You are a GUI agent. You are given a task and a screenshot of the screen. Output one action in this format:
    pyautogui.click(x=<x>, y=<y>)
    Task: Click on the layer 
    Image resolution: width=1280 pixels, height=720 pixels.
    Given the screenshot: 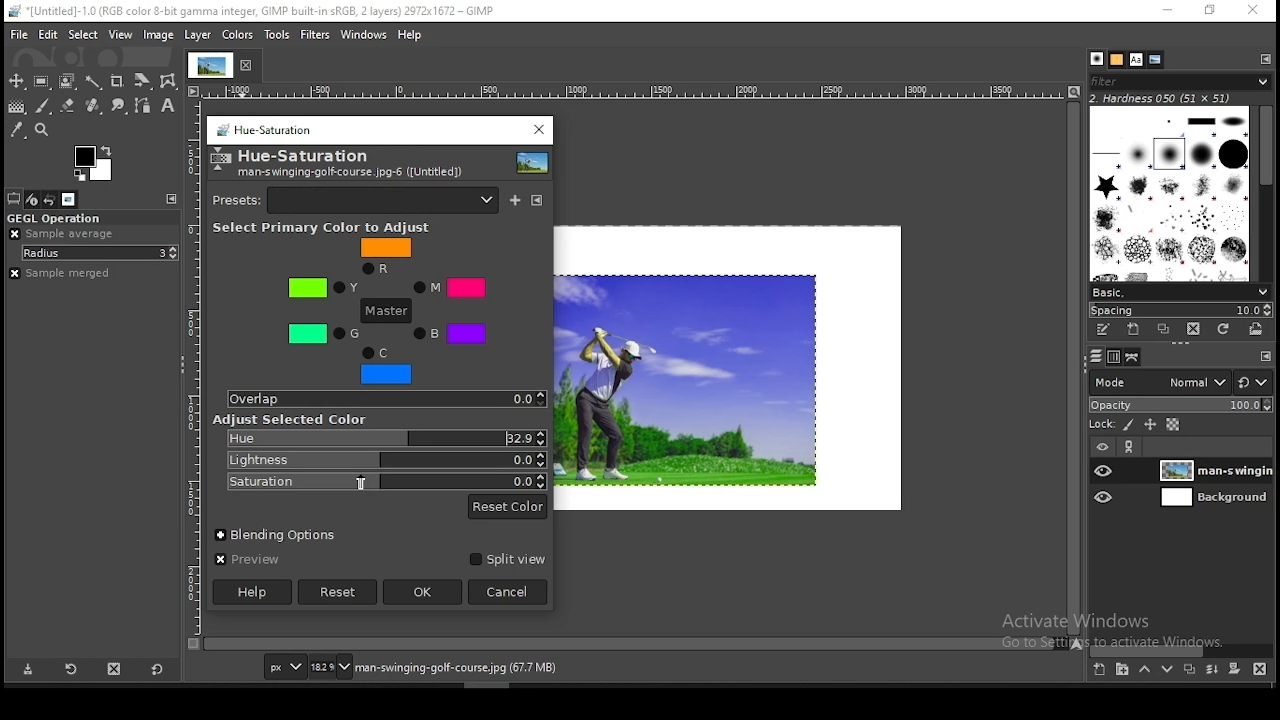 What is the action you would take?
    pyautogui.click(x=1215, y=472)
    